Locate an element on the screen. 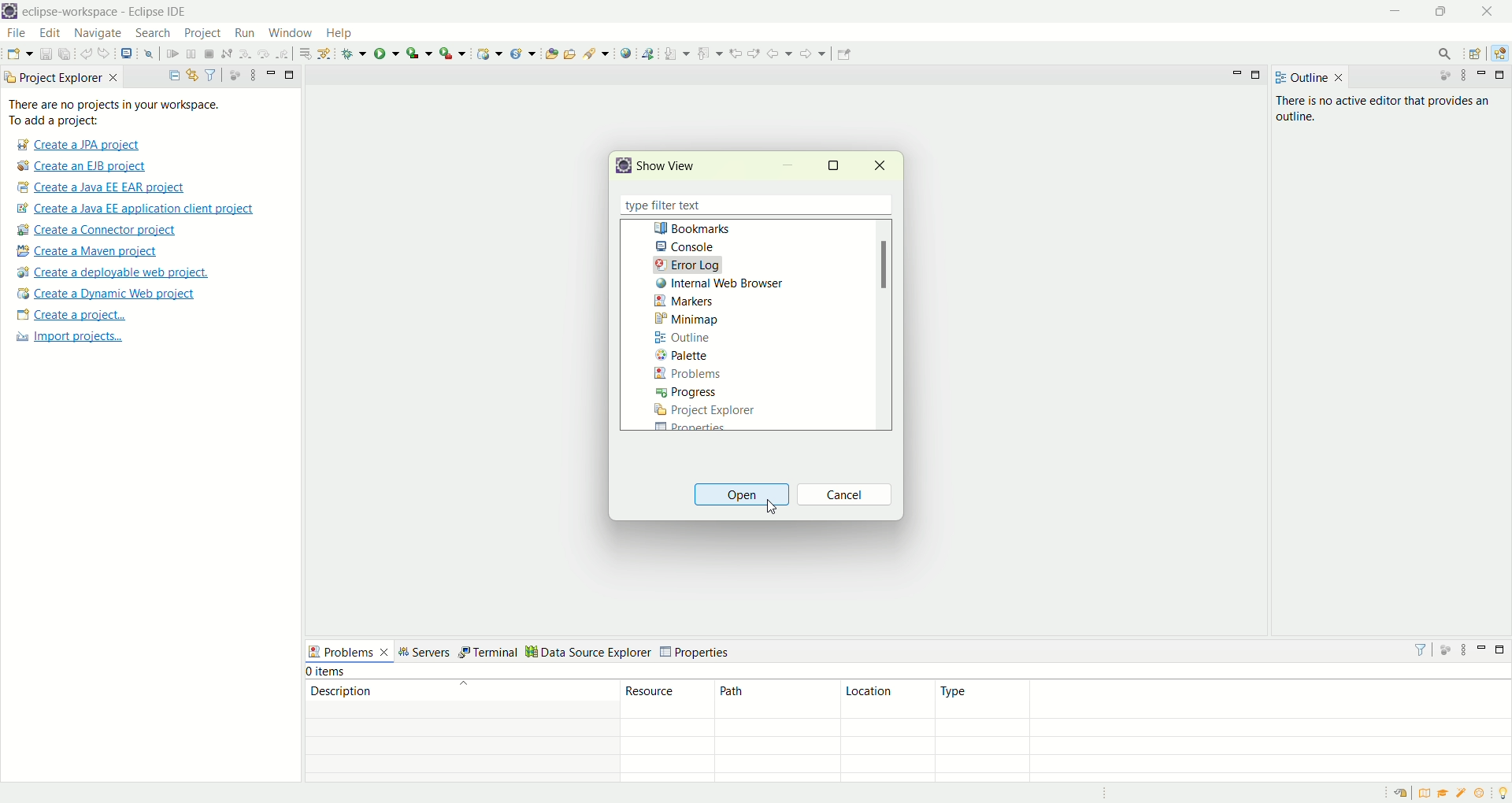 This screenshot has height=803, width=1512. tutorial is located at coordinates (1442, 796).